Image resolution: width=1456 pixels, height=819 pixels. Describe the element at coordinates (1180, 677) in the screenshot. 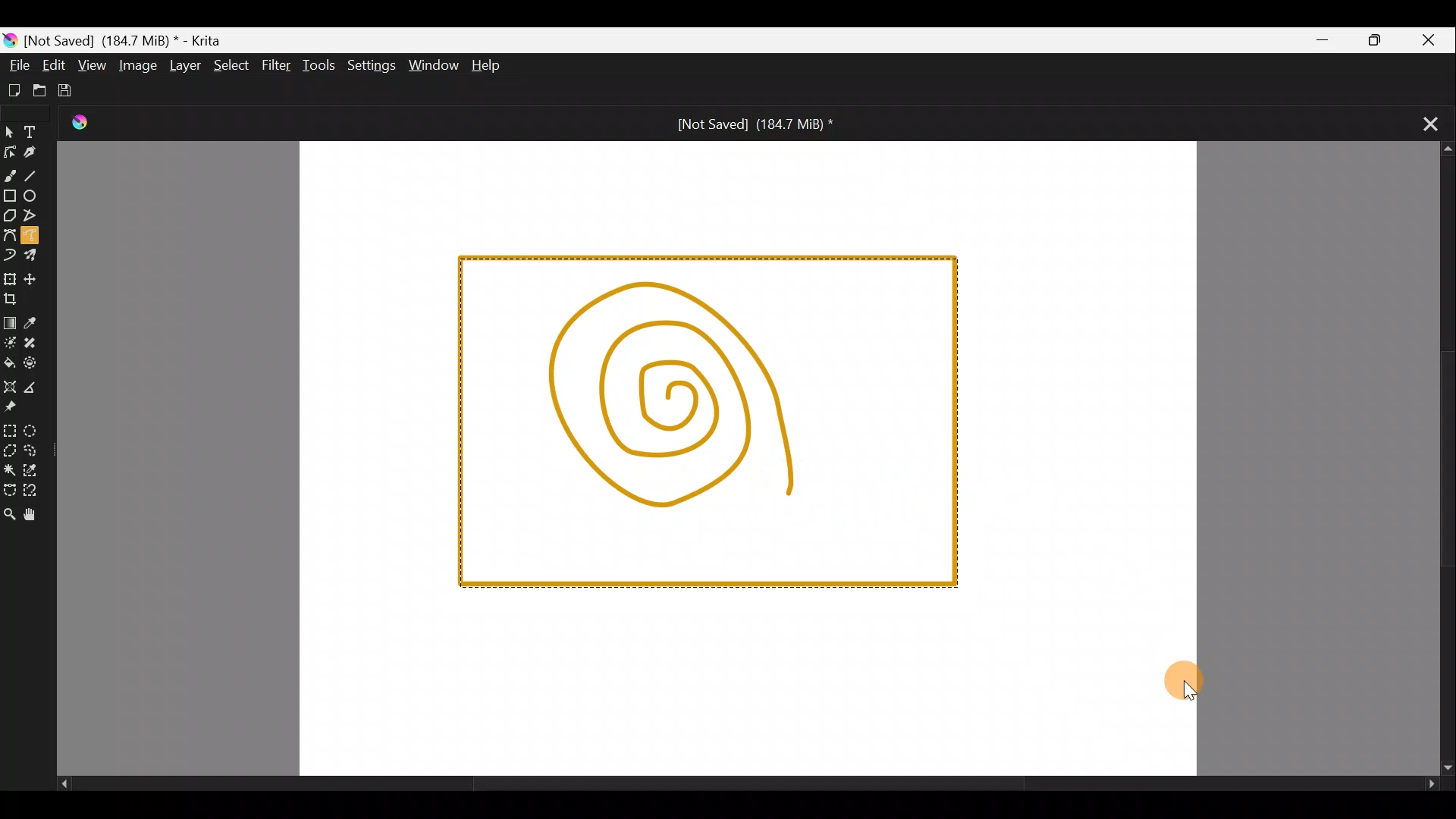

I see `Cursor` at that location.